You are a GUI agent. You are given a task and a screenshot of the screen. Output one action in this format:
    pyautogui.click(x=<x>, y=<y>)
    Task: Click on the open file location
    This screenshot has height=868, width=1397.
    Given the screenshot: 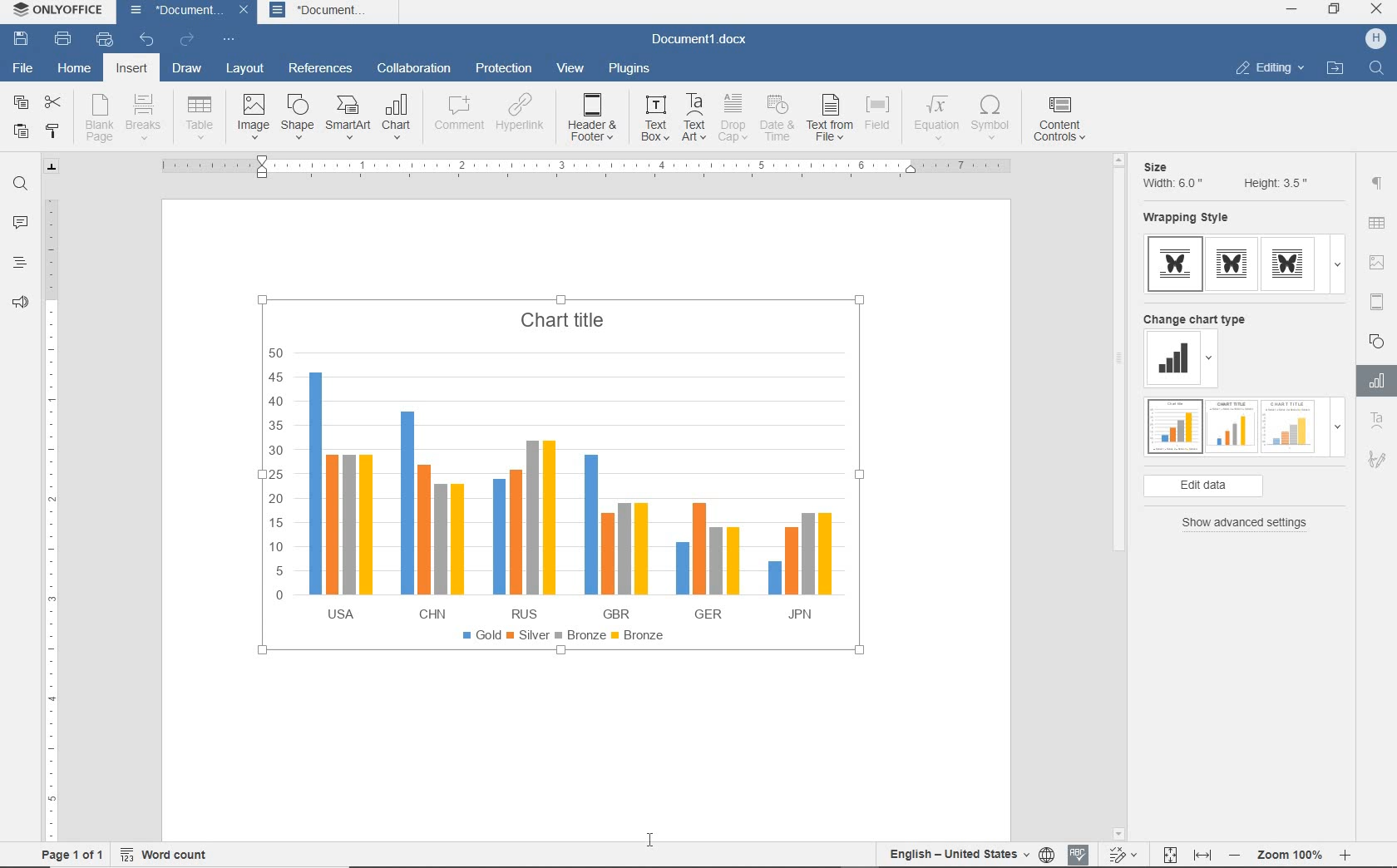 What is the action you would take?
    pyautogui.click(x=1335, y=69)
    